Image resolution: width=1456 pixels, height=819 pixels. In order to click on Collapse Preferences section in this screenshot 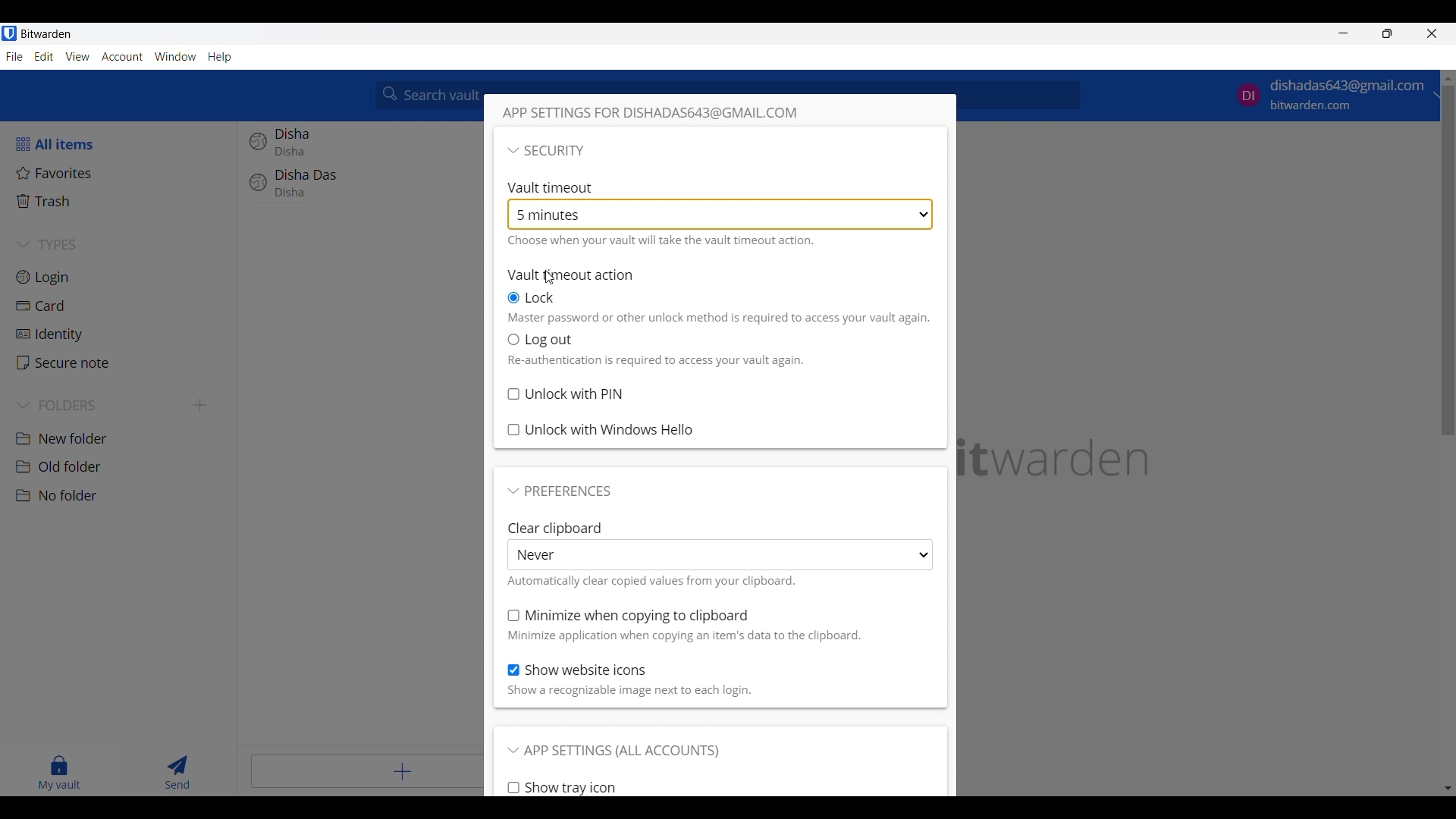, I will do `click(560, 491)`.